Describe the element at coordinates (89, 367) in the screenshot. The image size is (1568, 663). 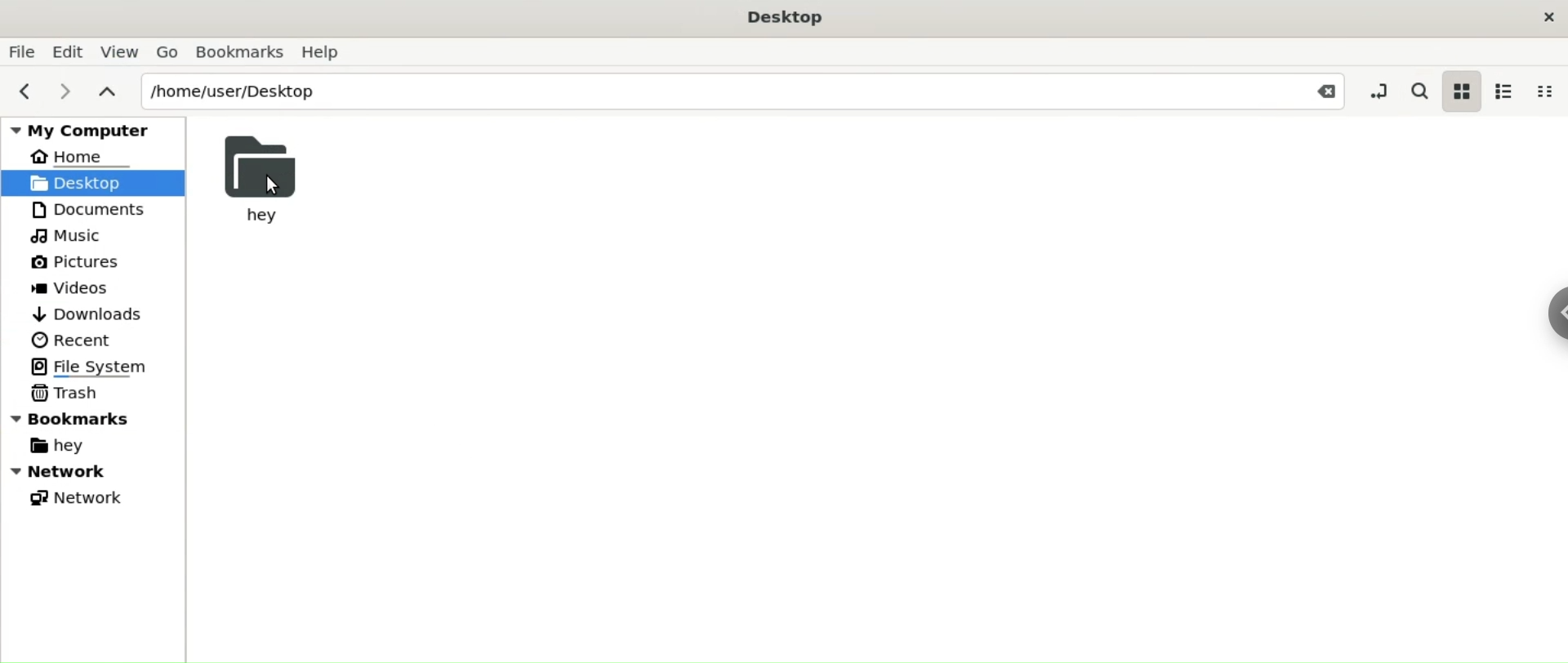
I see `File System` at that location.